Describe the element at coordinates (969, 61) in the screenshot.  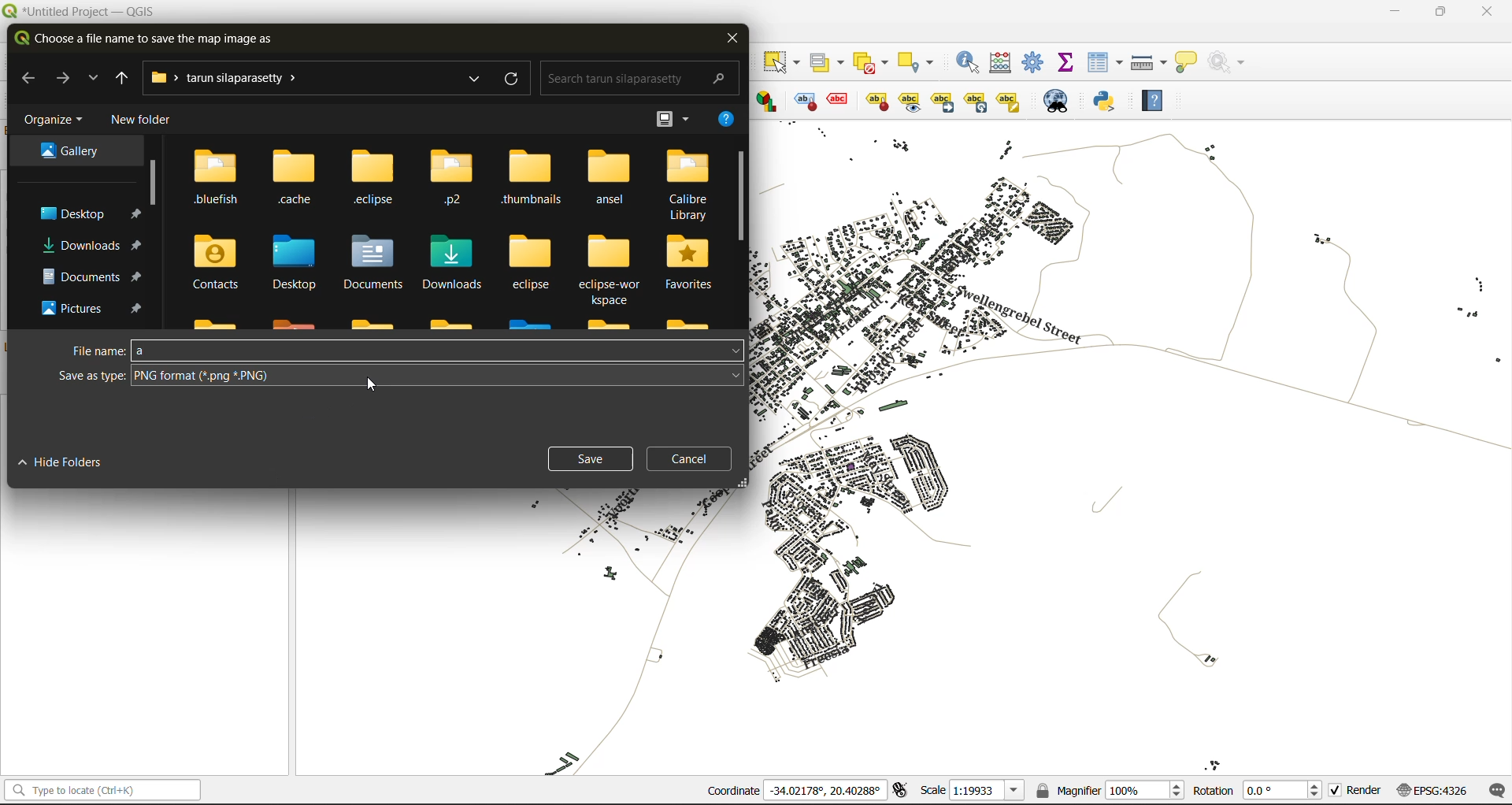
I see `identify features` at that location.